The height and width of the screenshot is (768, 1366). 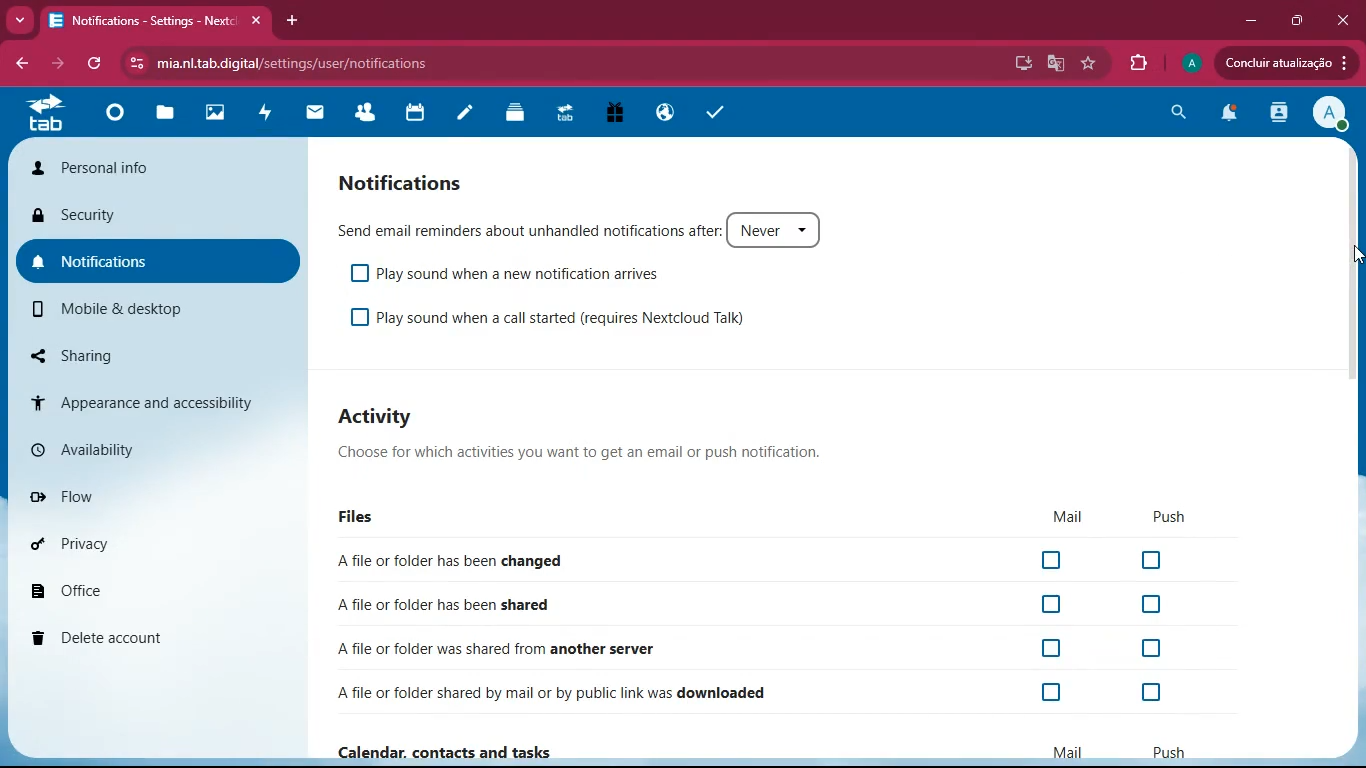 What do you see at coordinates (1281, 114) in the screenshot?
I see `activity` at bounding box center [1281, 114].